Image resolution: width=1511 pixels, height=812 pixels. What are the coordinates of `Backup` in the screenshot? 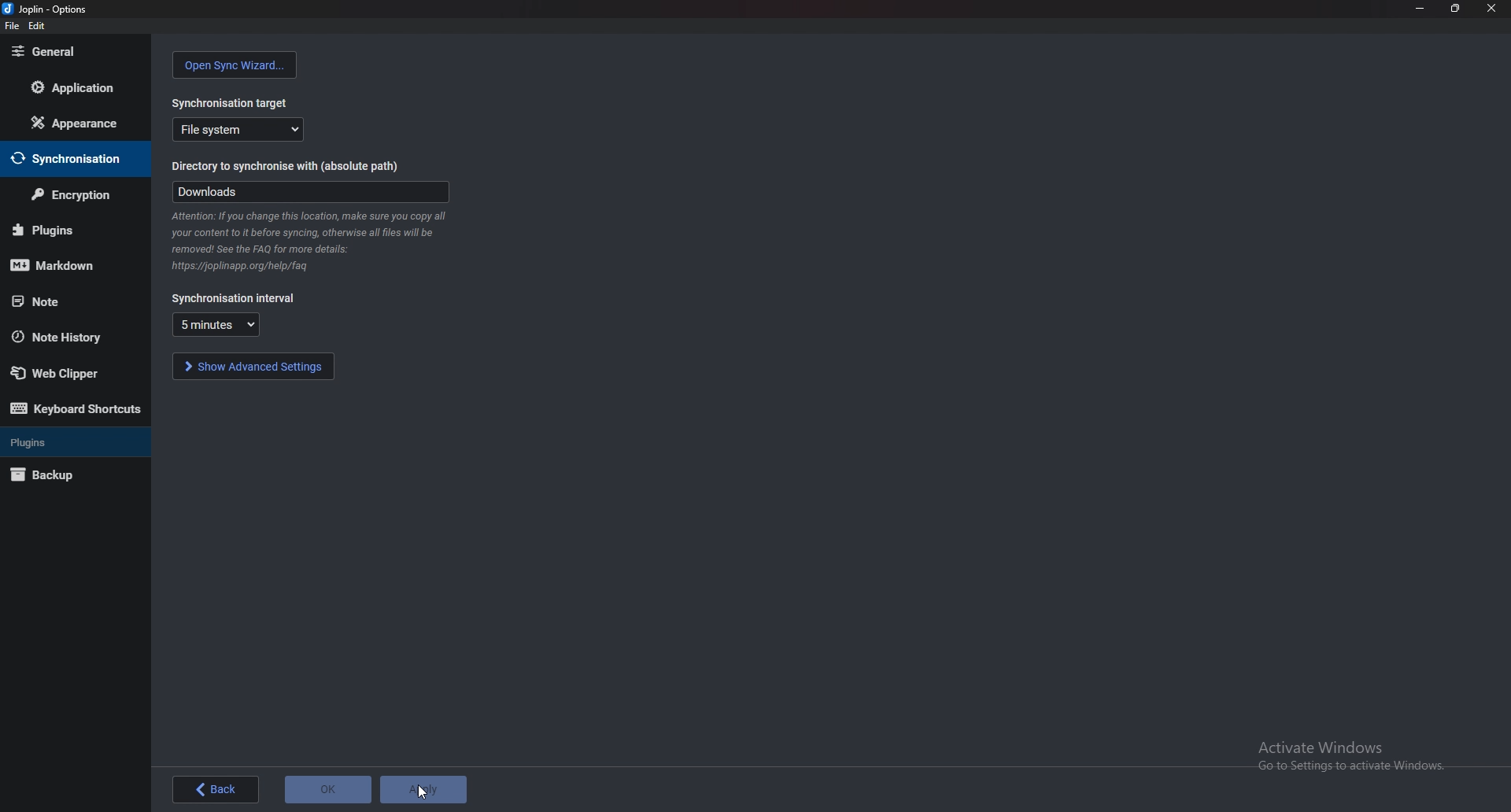 It's located at (72, 474).